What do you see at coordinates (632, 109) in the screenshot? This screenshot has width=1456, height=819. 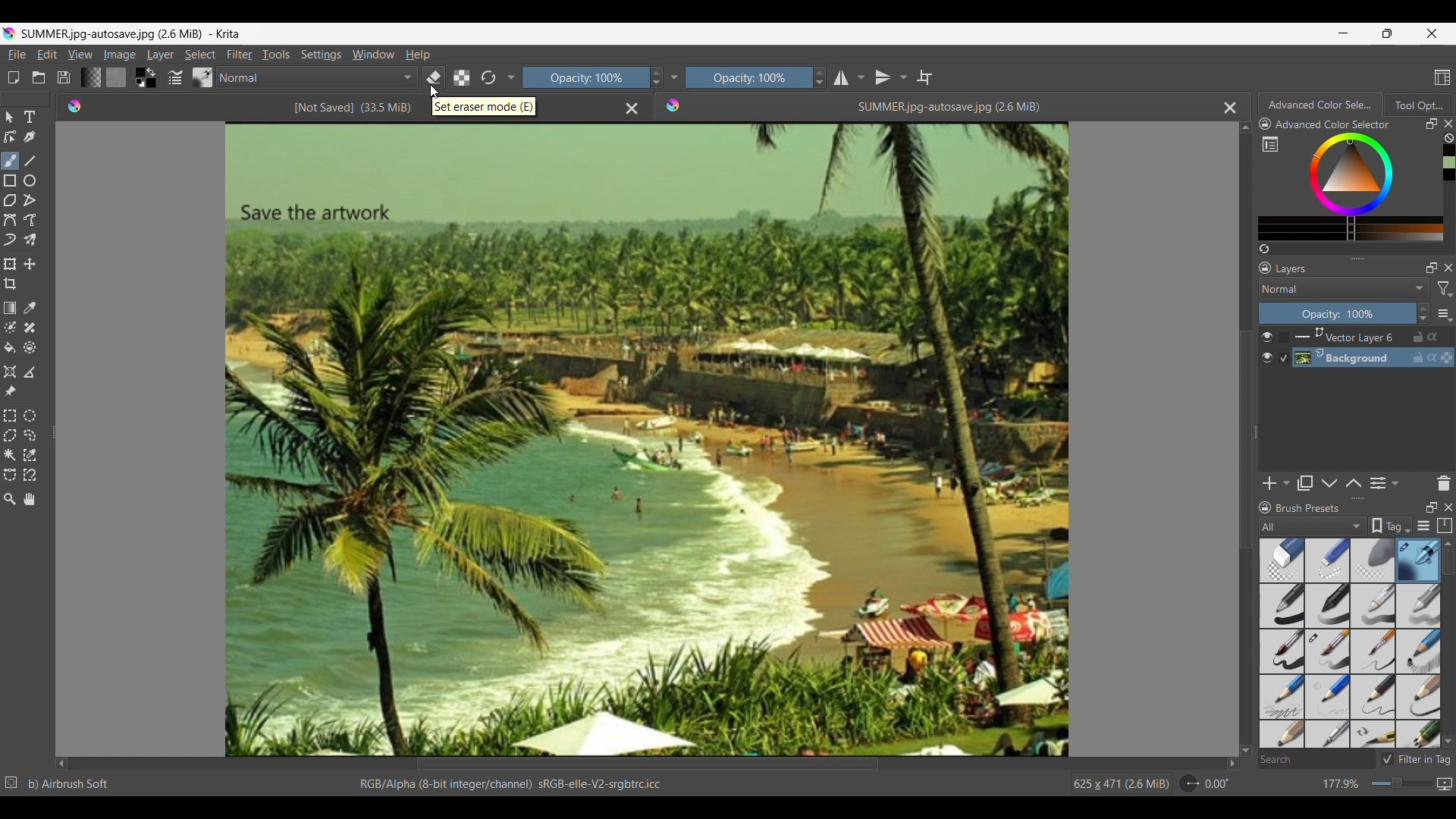 I see `Close` at bounding box center [632, 109].